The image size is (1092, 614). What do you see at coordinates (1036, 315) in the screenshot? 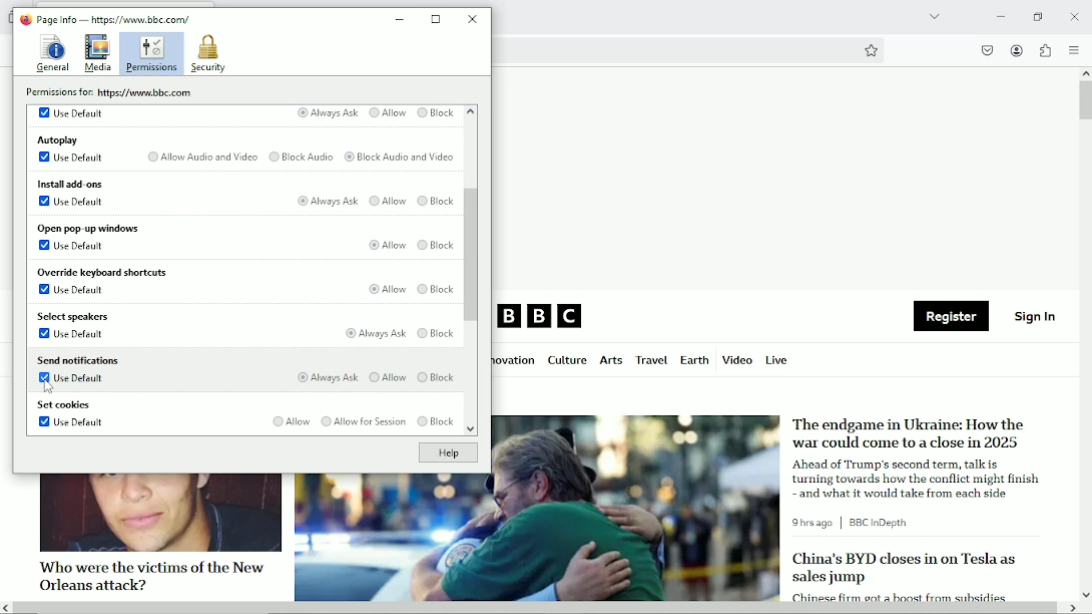
I see `Sign in` at bounding box center [1036, 315].